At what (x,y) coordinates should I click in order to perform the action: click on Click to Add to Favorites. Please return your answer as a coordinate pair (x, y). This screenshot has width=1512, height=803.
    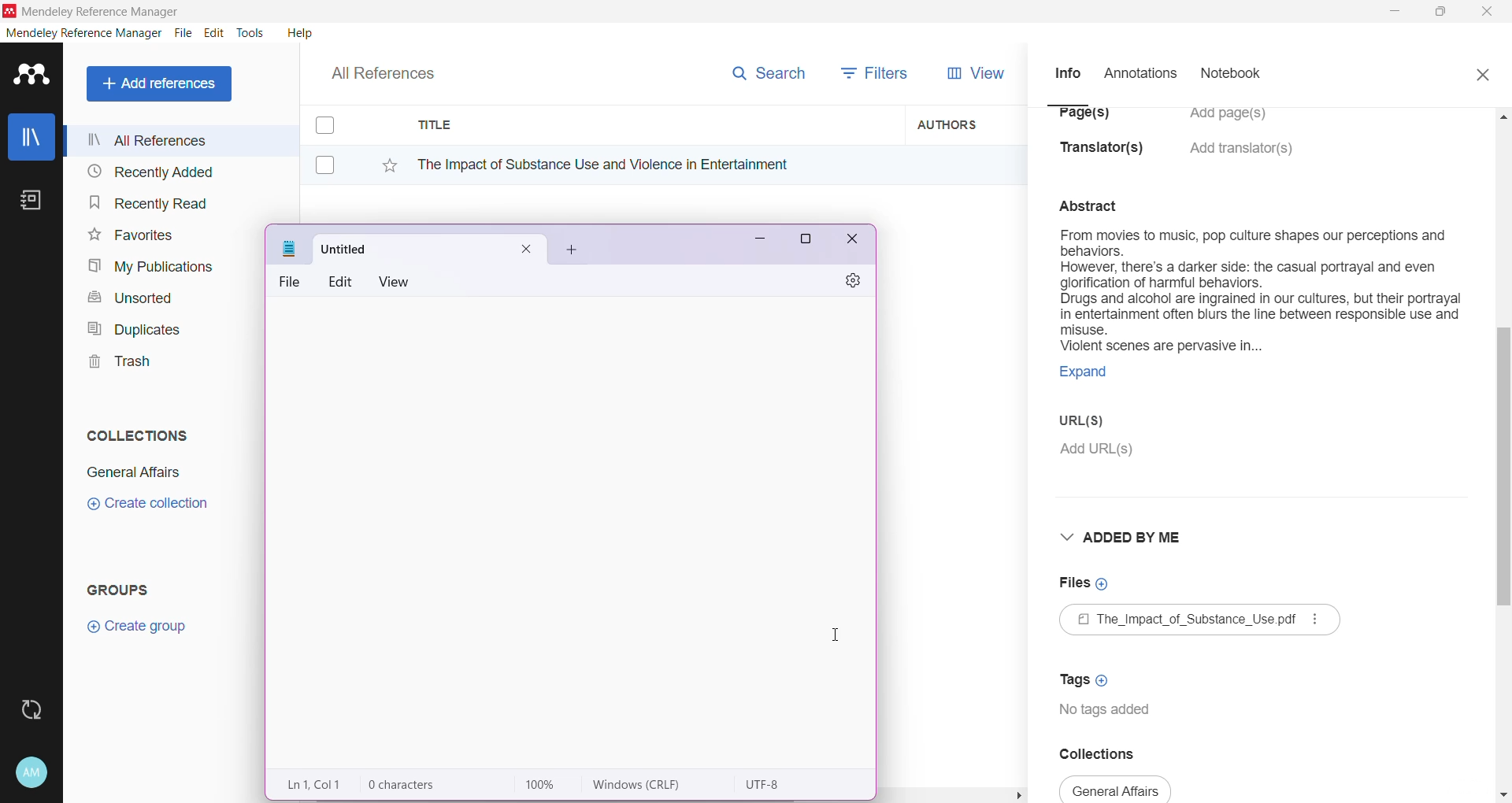
    Looking at the image, I should click on (381, 162).